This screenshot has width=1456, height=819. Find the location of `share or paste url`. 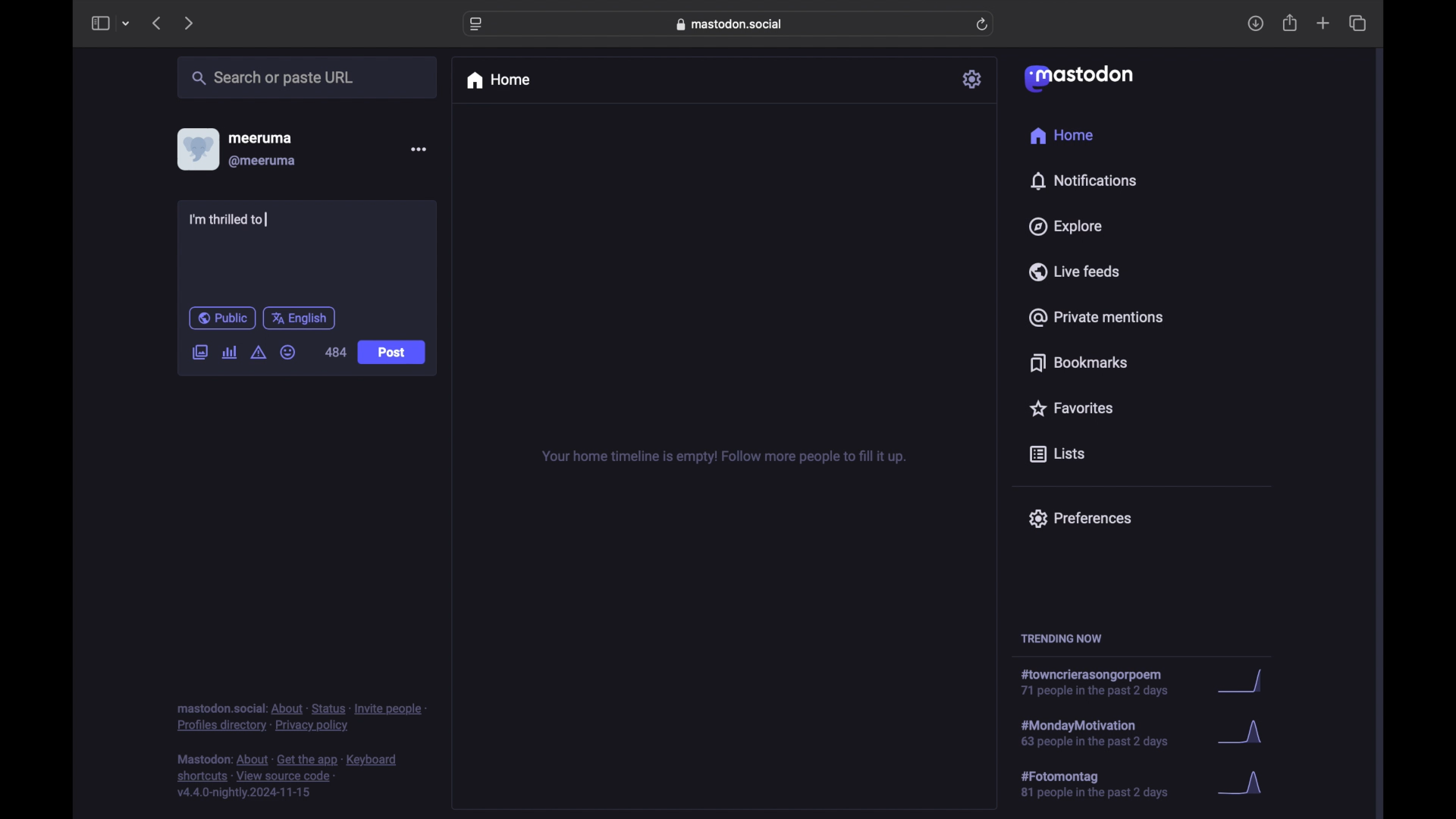

share or paste url is located at coordinates (273, 77).